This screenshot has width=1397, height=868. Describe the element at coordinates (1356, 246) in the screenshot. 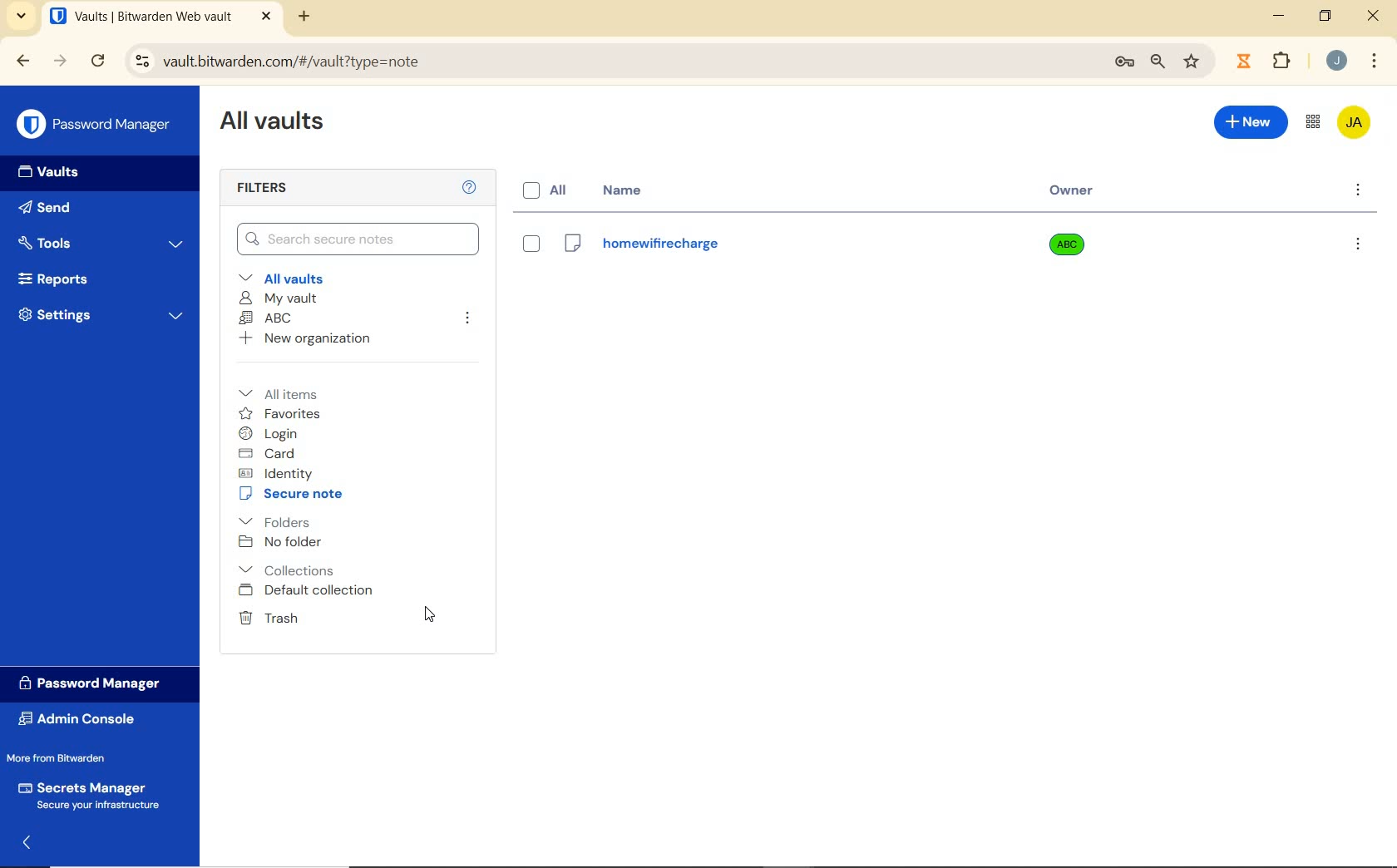

I see `more options` at that location.